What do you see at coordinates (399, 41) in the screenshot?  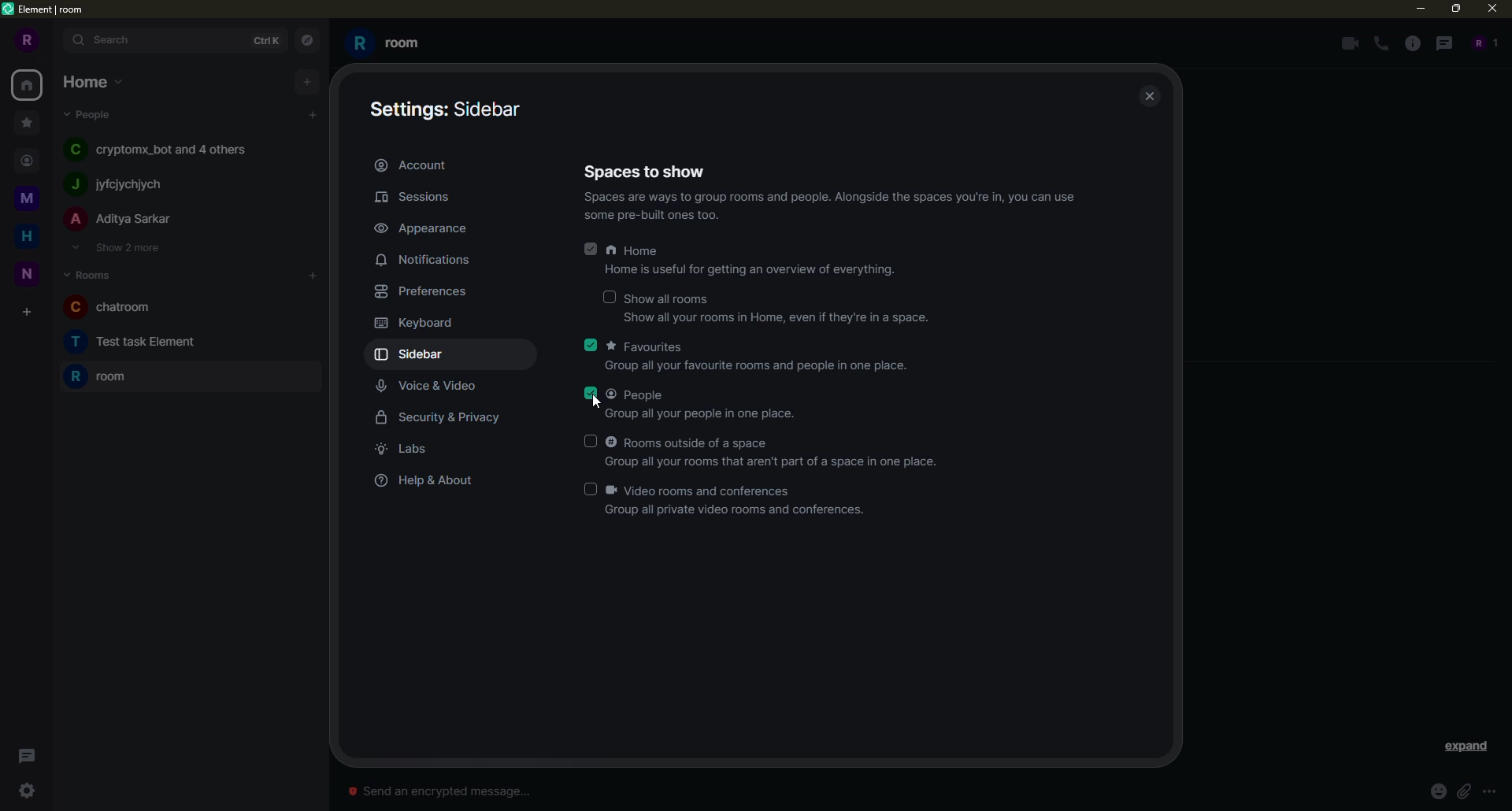 I see `R room` at bounding box center [399, 41].